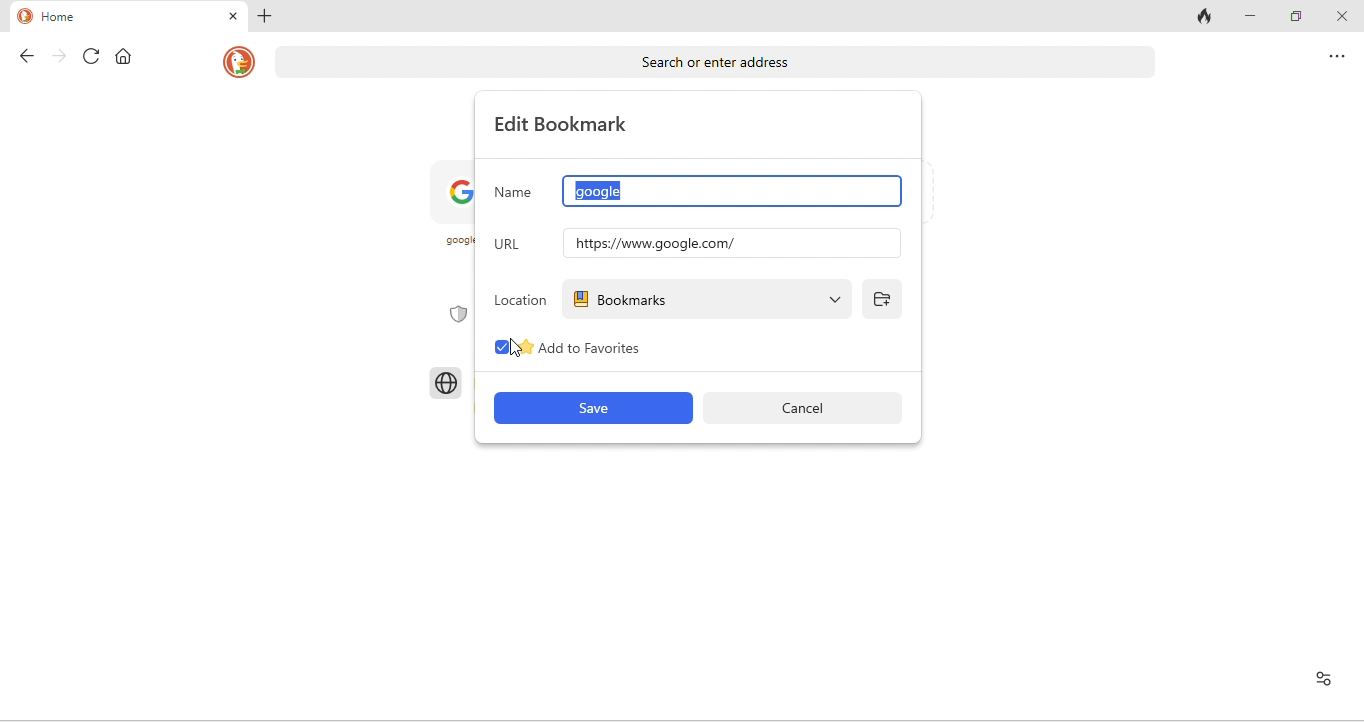 The width and height of the screenshot is (1364, 722). What do you see at coordinates (445, 382) in the screenshot?
I see `Browser icon` at bounding box center [445, 382].